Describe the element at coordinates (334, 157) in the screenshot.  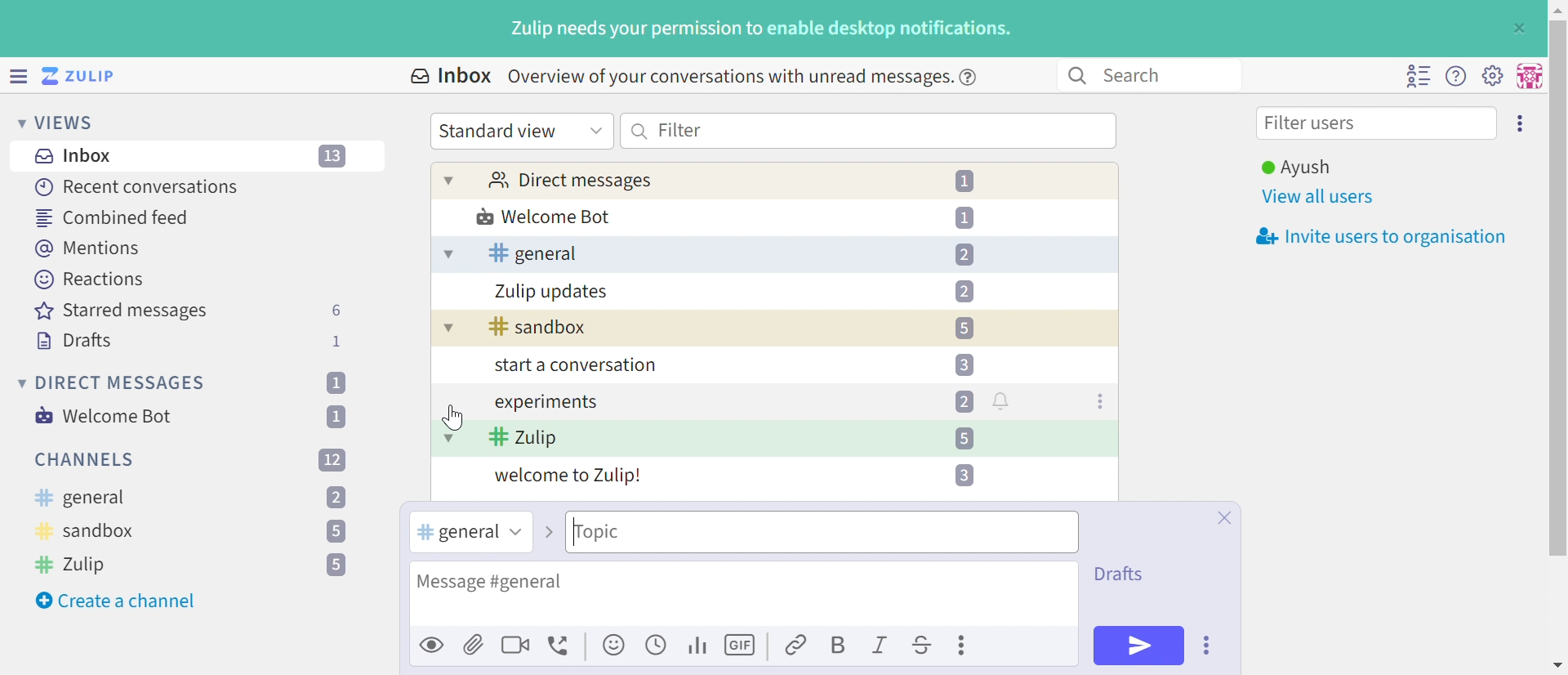
I see `13` at that location.